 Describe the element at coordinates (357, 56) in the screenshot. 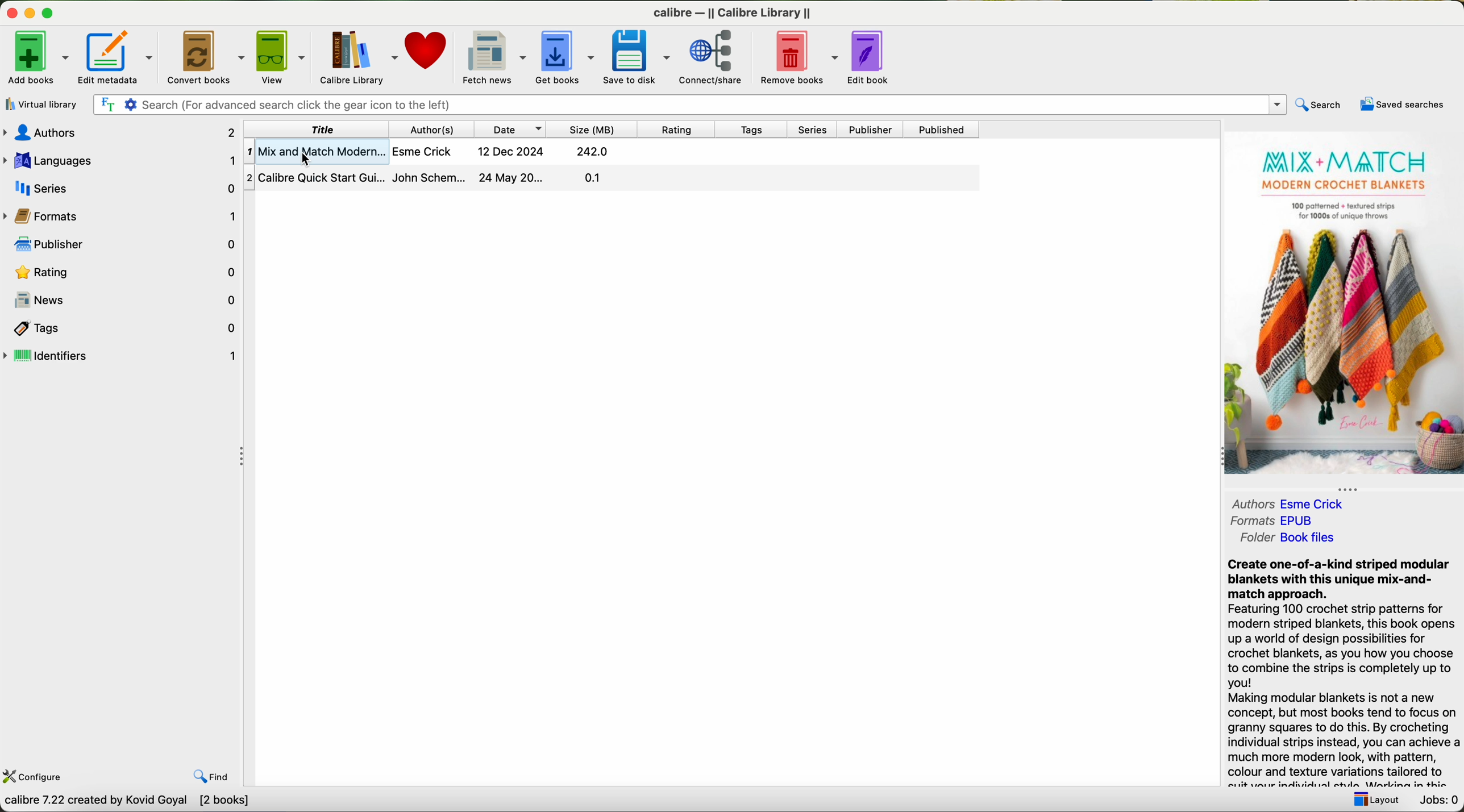

I see `calibre library` at that location.